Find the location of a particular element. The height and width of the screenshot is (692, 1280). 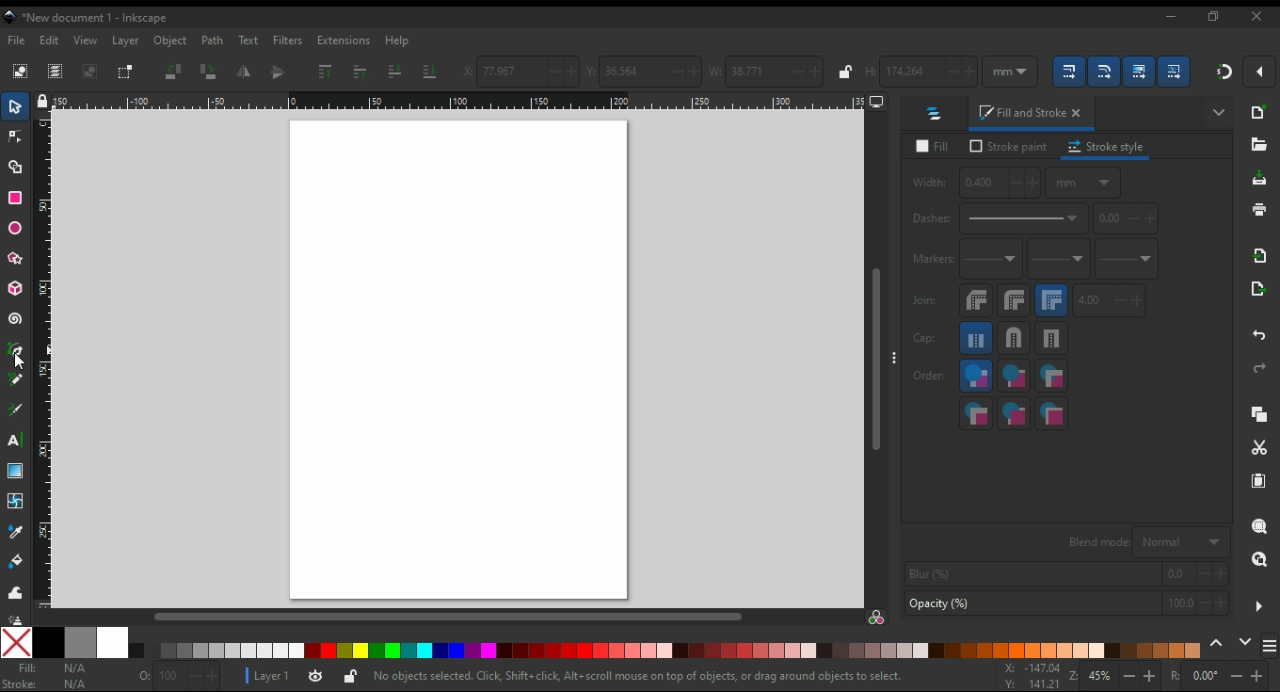

show is located at coordinates (1216, 114).